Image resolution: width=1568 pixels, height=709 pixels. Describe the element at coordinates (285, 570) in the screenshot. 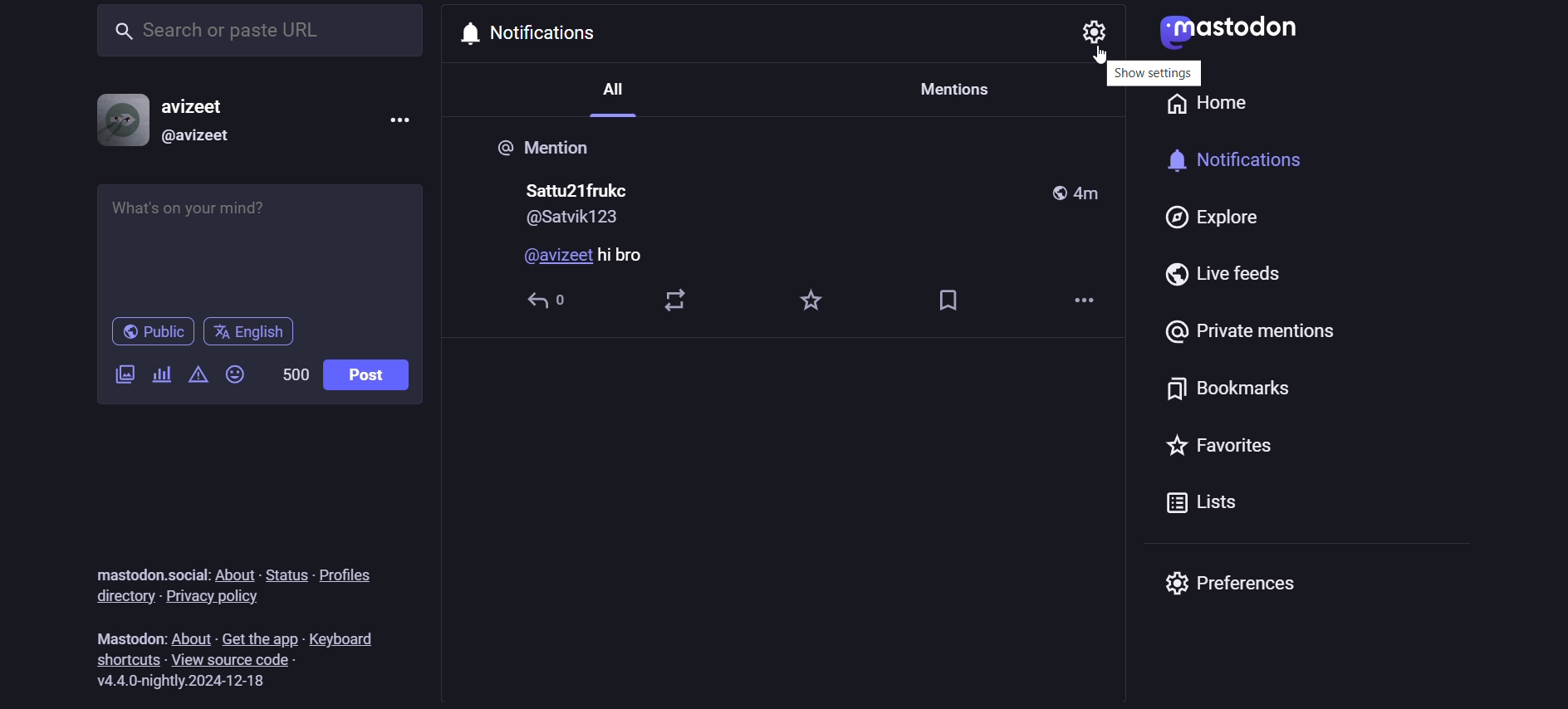

I see `status` at that location.